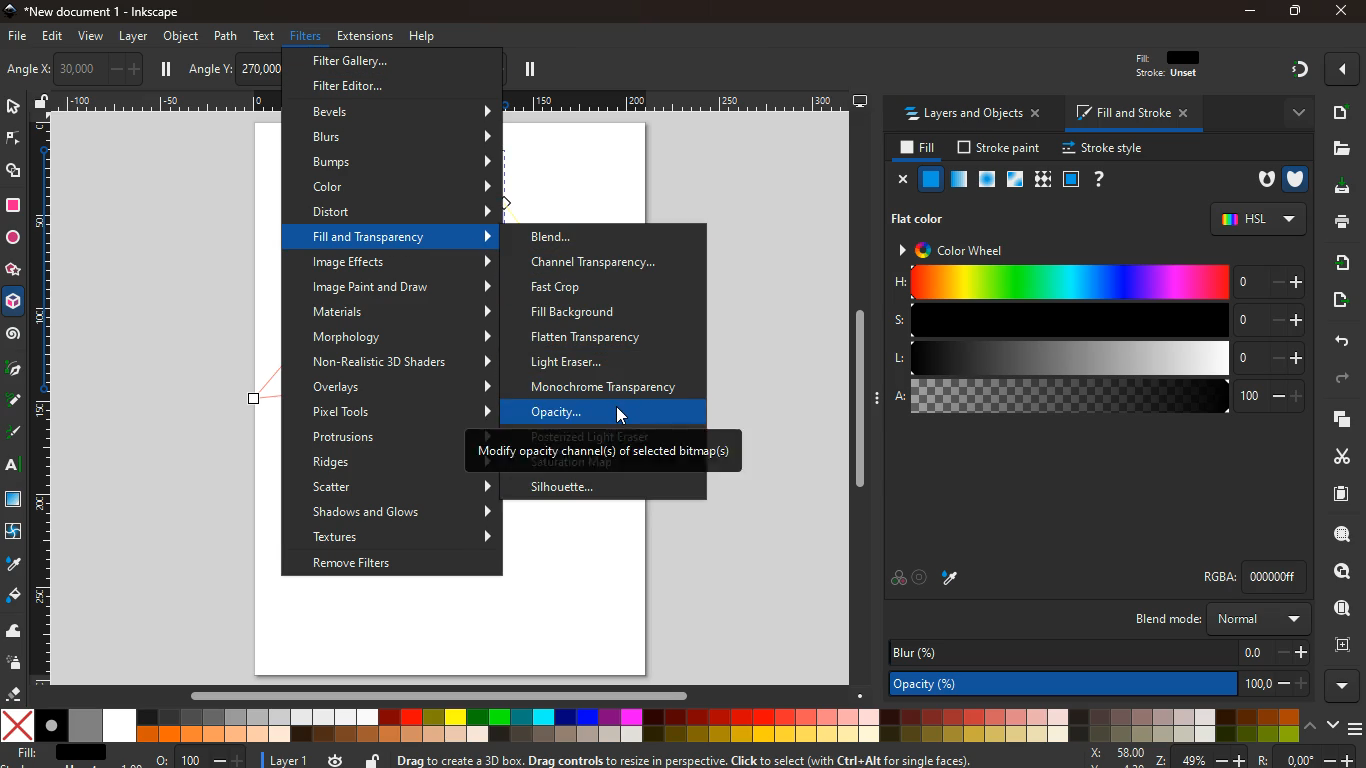 The width and height of the screenshot is (1366, 768). What do you see at coordinates (1301, 70) in the screenshot?
I see `gradient` at bounding box center [1301, 70].